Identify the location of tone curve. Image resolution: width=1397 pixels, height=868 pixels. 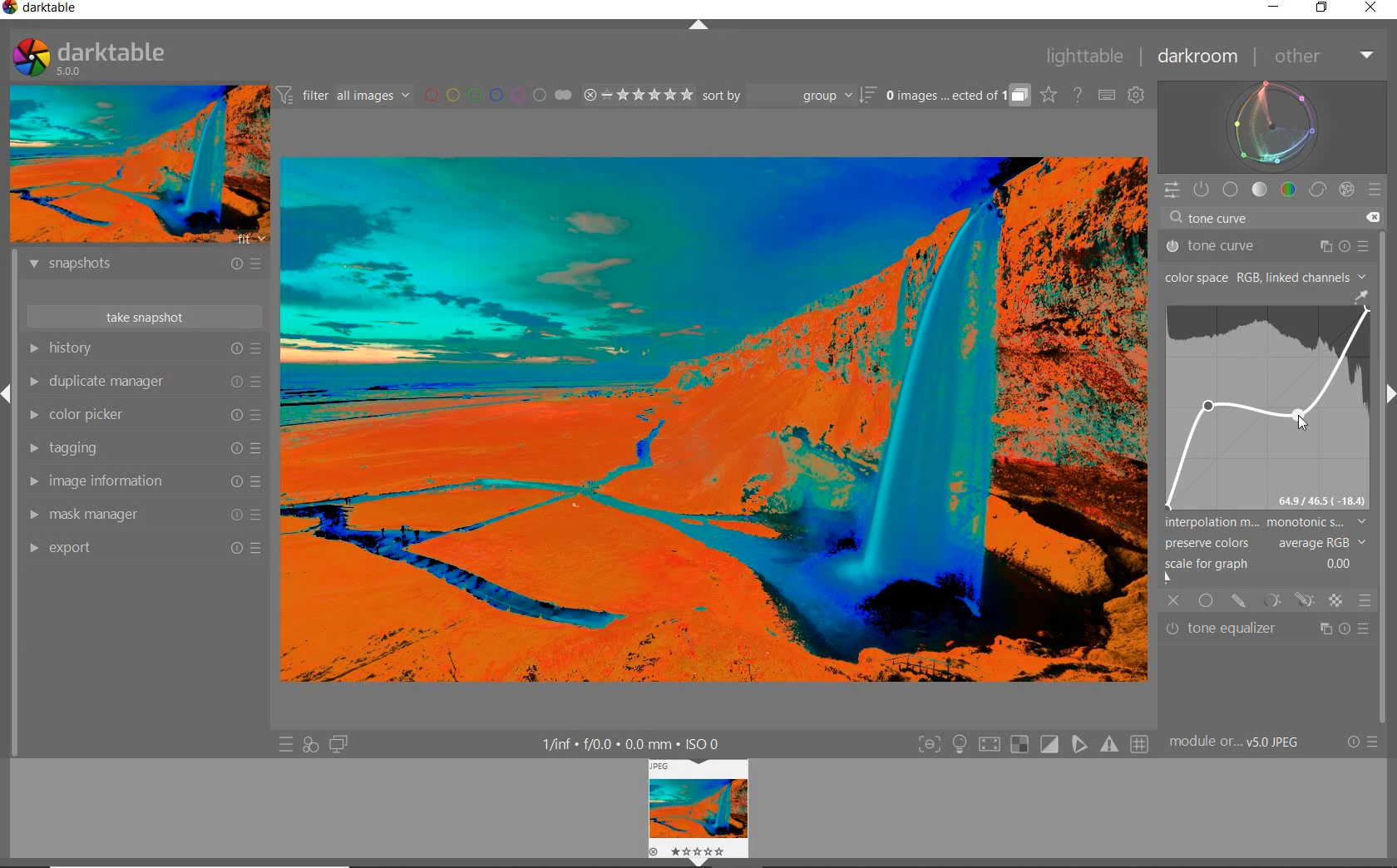
(1276, 216).